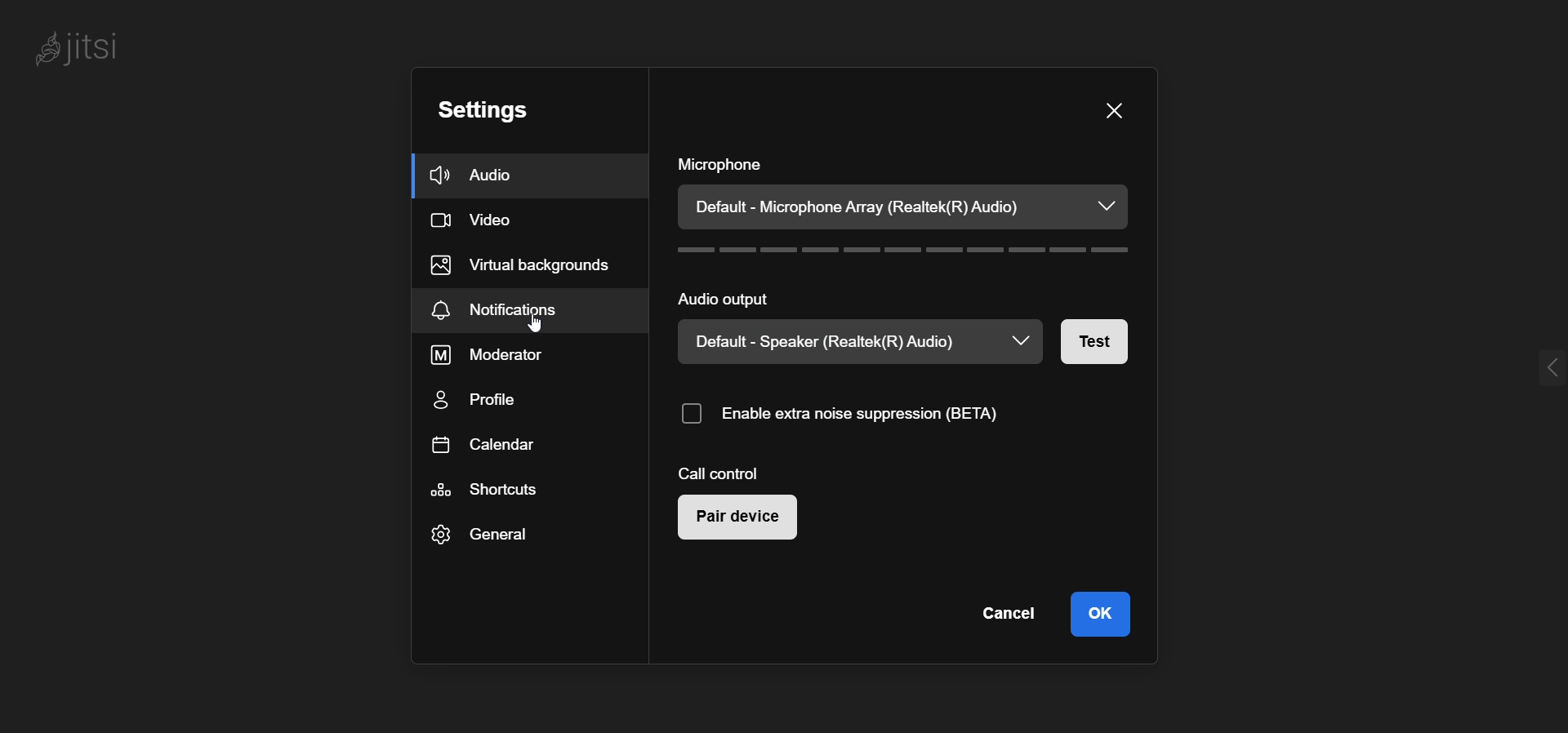 The width and height of the screenshot is (1568, 733). Describe the element at coordinates (492, 488) in the screenshot. I see `shortcut` at that location.